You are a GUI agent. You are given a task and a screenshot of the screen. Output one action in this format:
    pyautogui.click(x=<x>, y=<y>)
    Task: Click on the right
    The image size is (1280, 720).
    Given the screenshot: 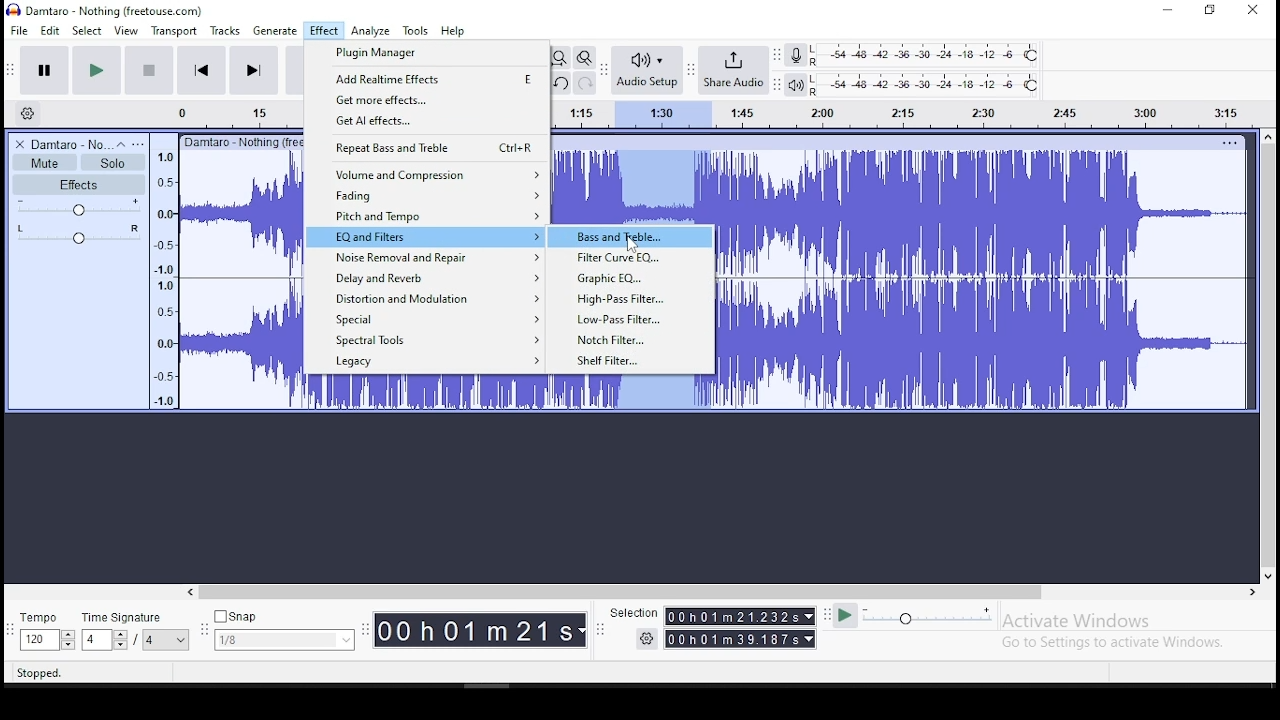 What is the action you would take?
    pyautogui.click(x=1251, y=592)
    